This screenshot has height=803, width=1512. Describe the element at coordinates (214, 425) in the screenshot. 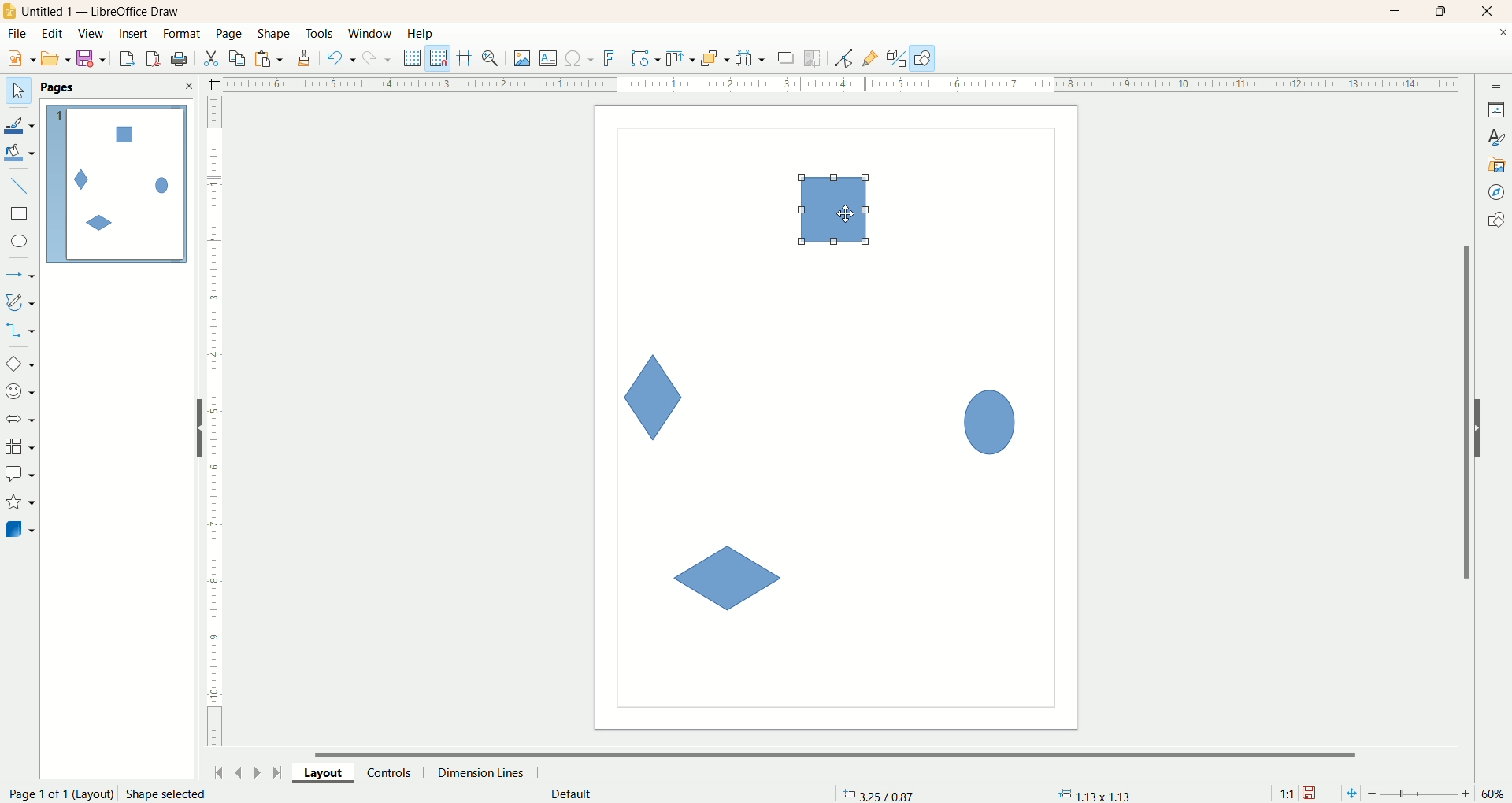

I see `scale bar` at that location.